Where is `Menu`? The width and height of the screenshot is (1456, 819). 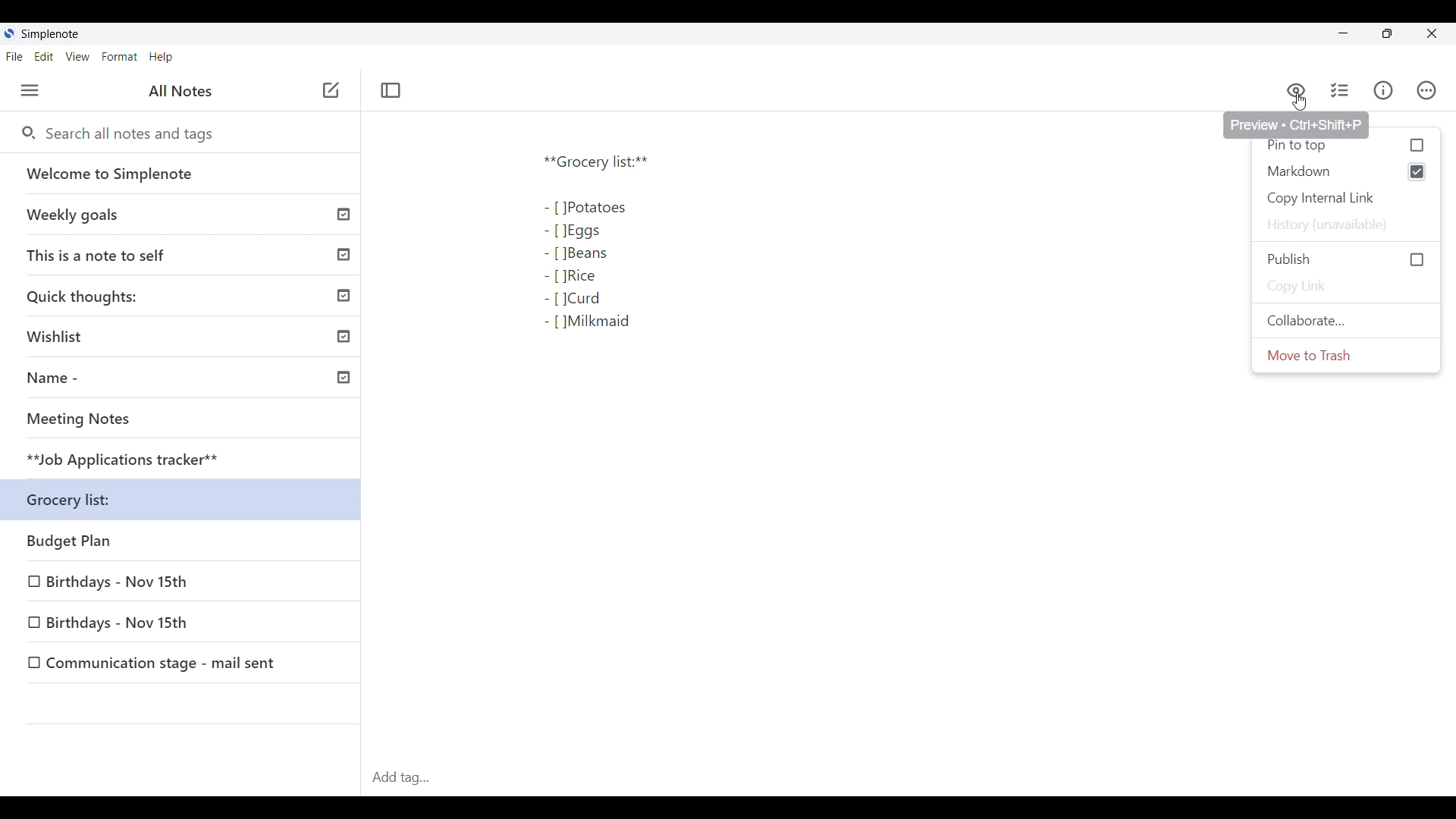 Menu is located at coordinates (30, 90).